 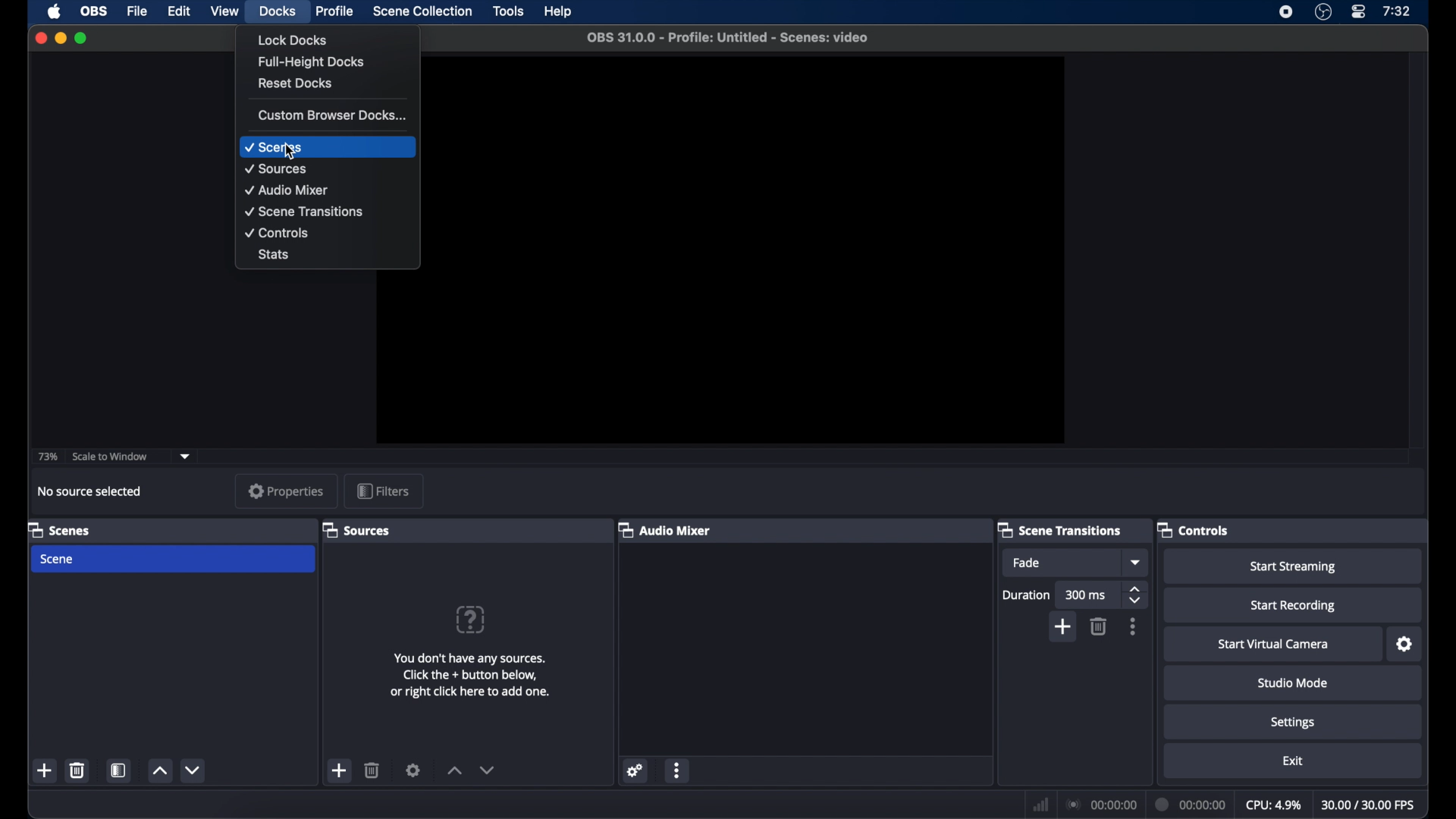 I want to click on settings, so click(x=1404, y=645).